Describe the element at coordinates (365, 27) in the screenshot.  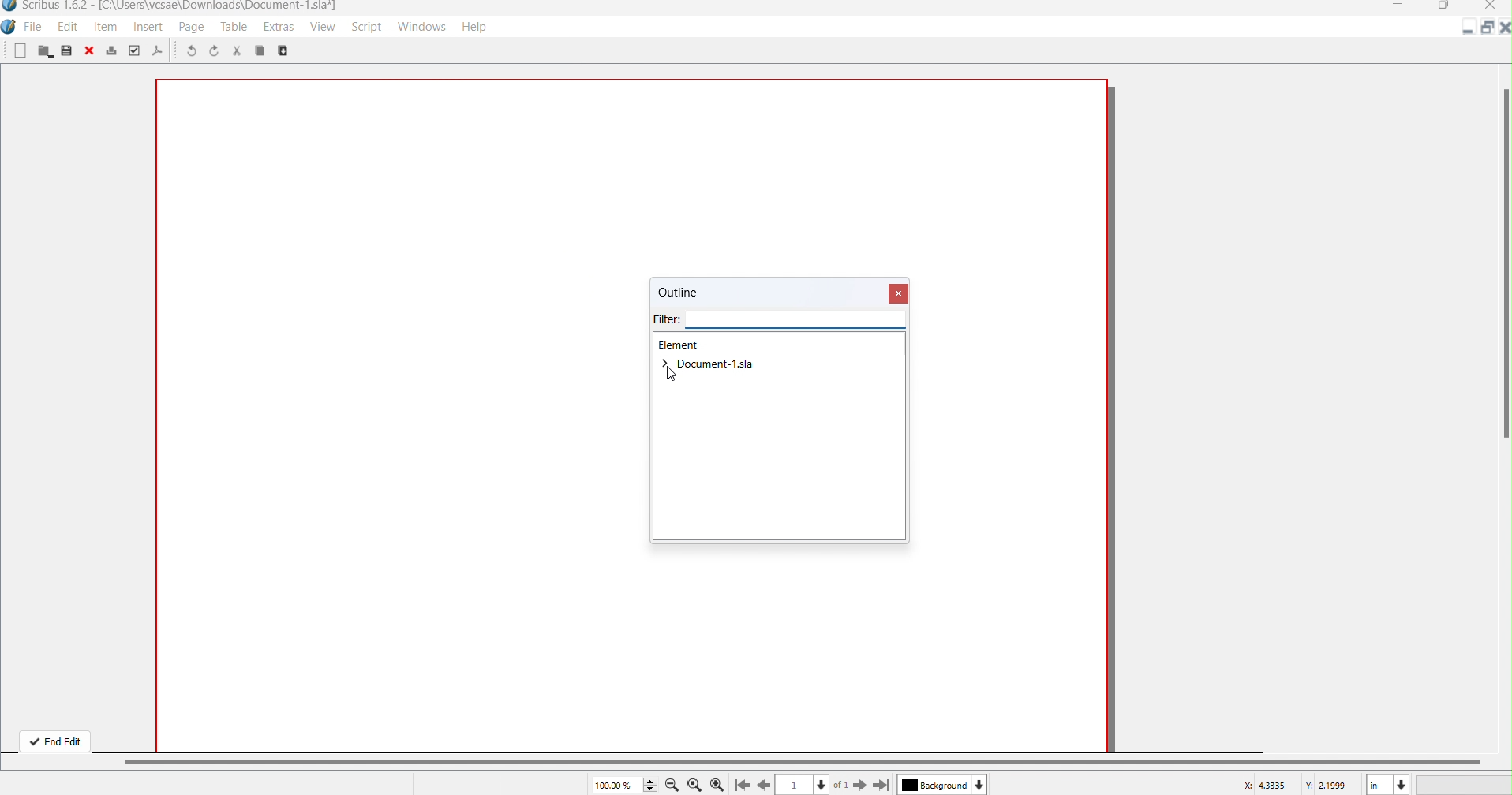
I see `script` at that location.